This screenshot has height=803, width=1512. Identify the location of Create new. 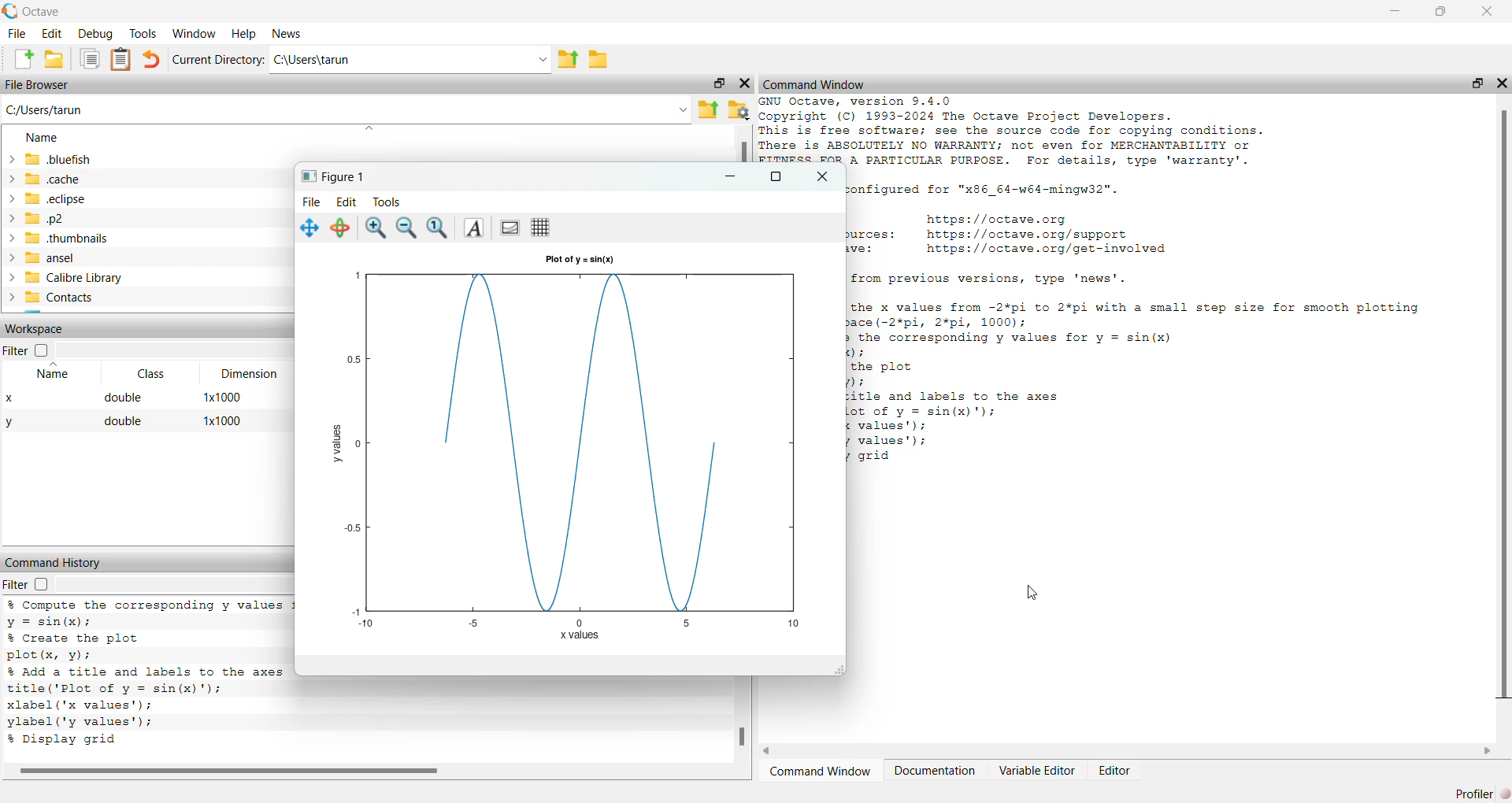
(25, 59).